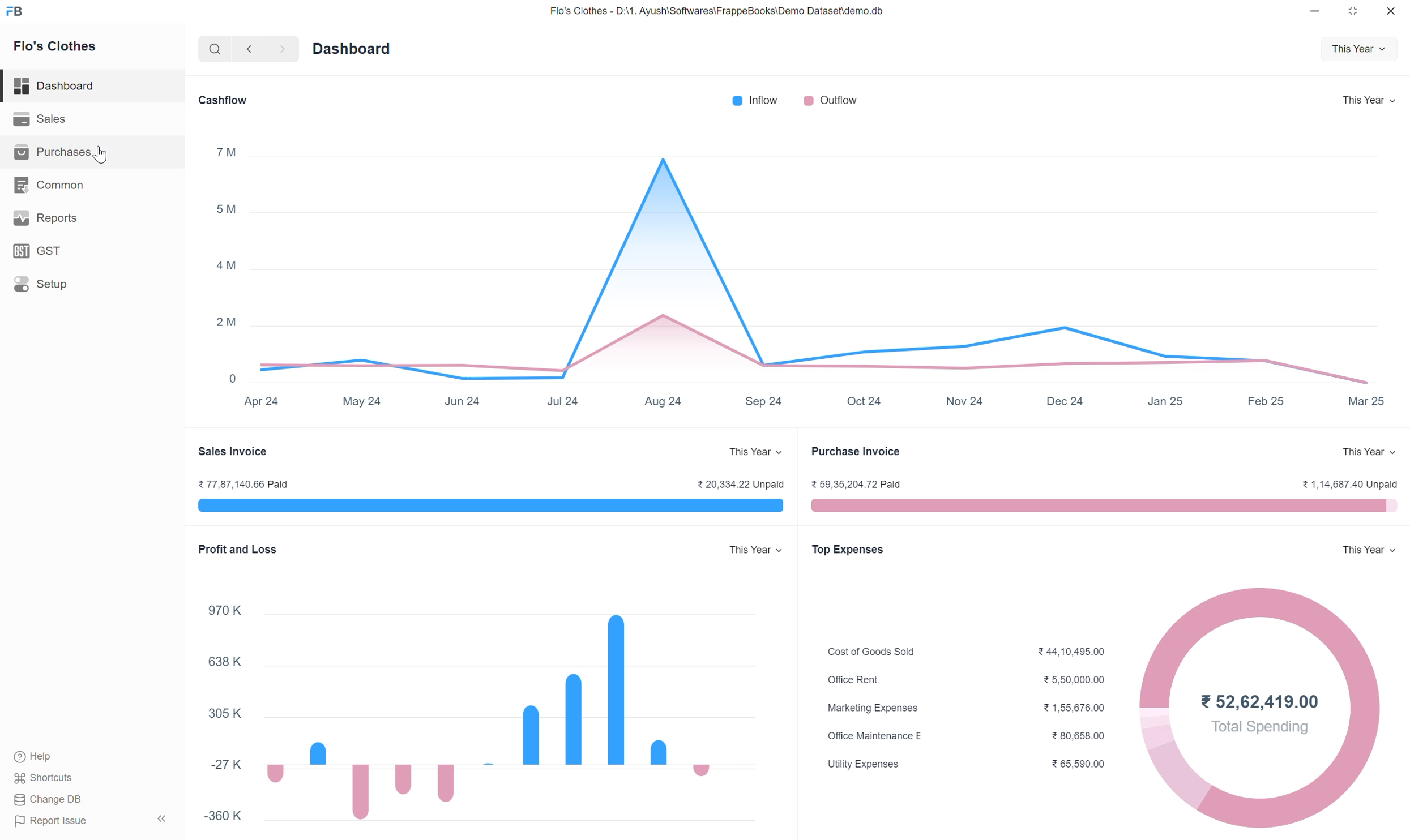 This screenshot has height=840, width=1410. I want to click on cashflow, so click(222, 101).